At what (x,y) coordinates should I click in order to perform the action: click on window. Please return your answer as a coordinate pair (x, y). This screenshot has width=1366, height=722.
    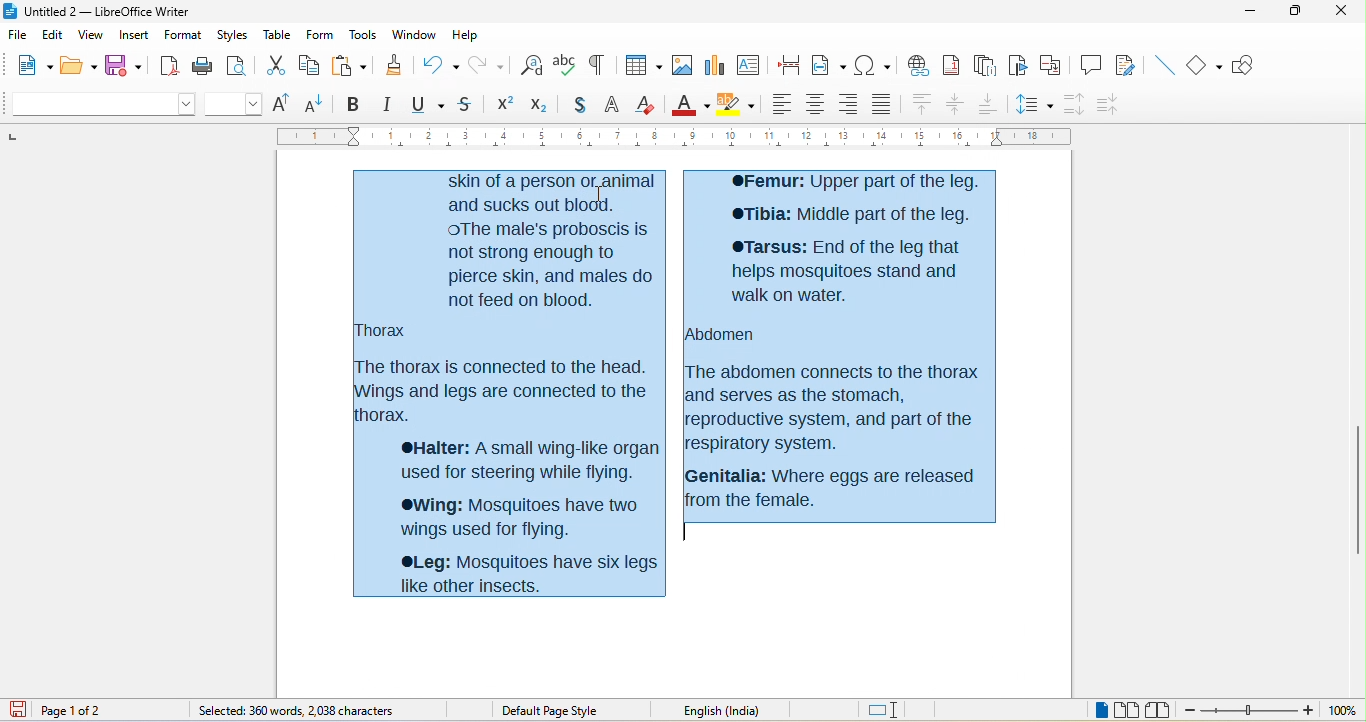
    Looking at the image, I should click on (414, 34).